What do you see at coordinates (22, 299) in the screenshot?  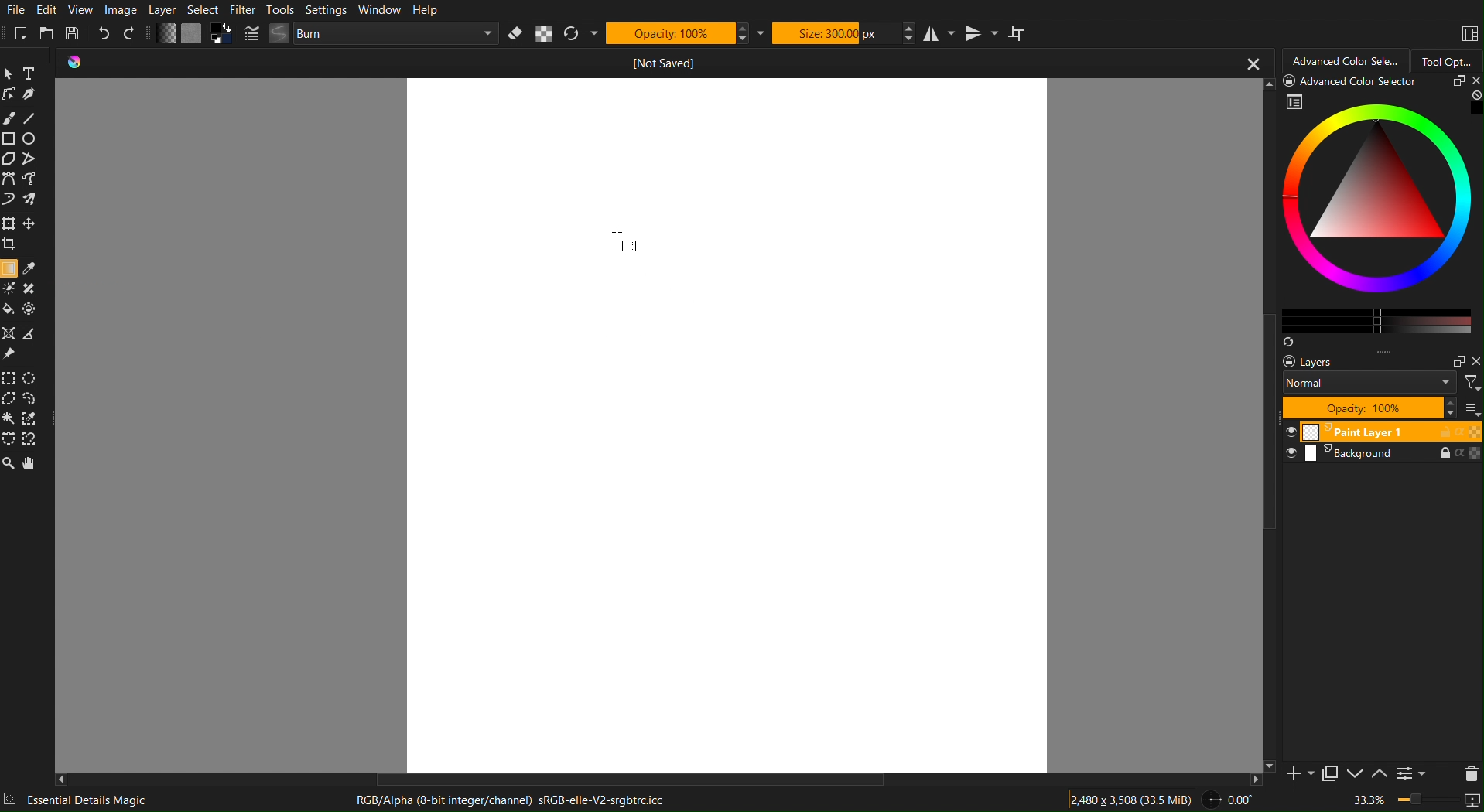 I see `Color Tools` at bounding box center [22, 299].